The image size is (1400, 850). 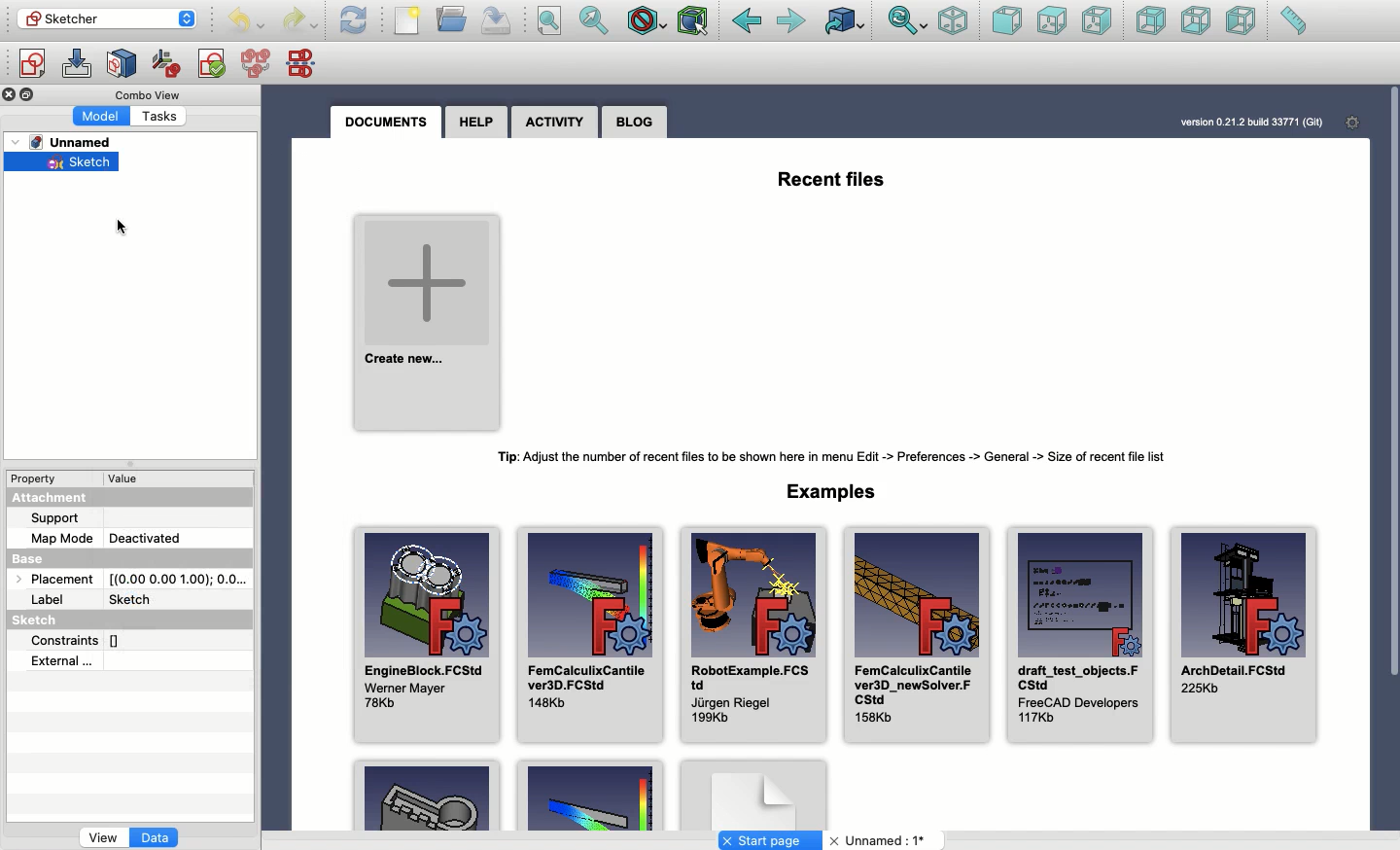 What do you see at coordinates (103, 115) in the screenshot?
I see `Model+` at bounding box center [103, 115].